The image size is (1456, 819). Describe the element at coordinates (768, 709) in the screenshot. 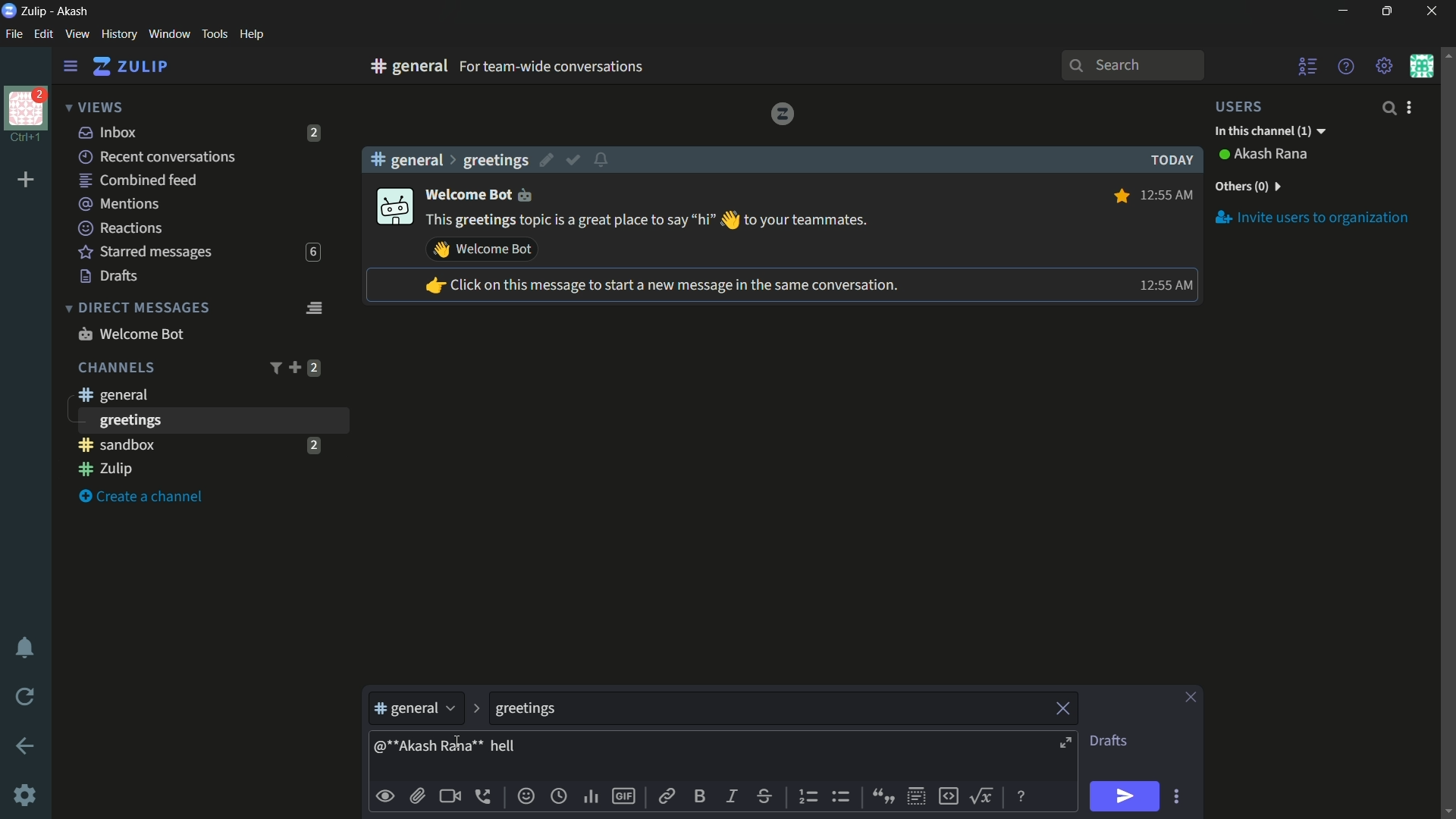

I see `topic` at that location.